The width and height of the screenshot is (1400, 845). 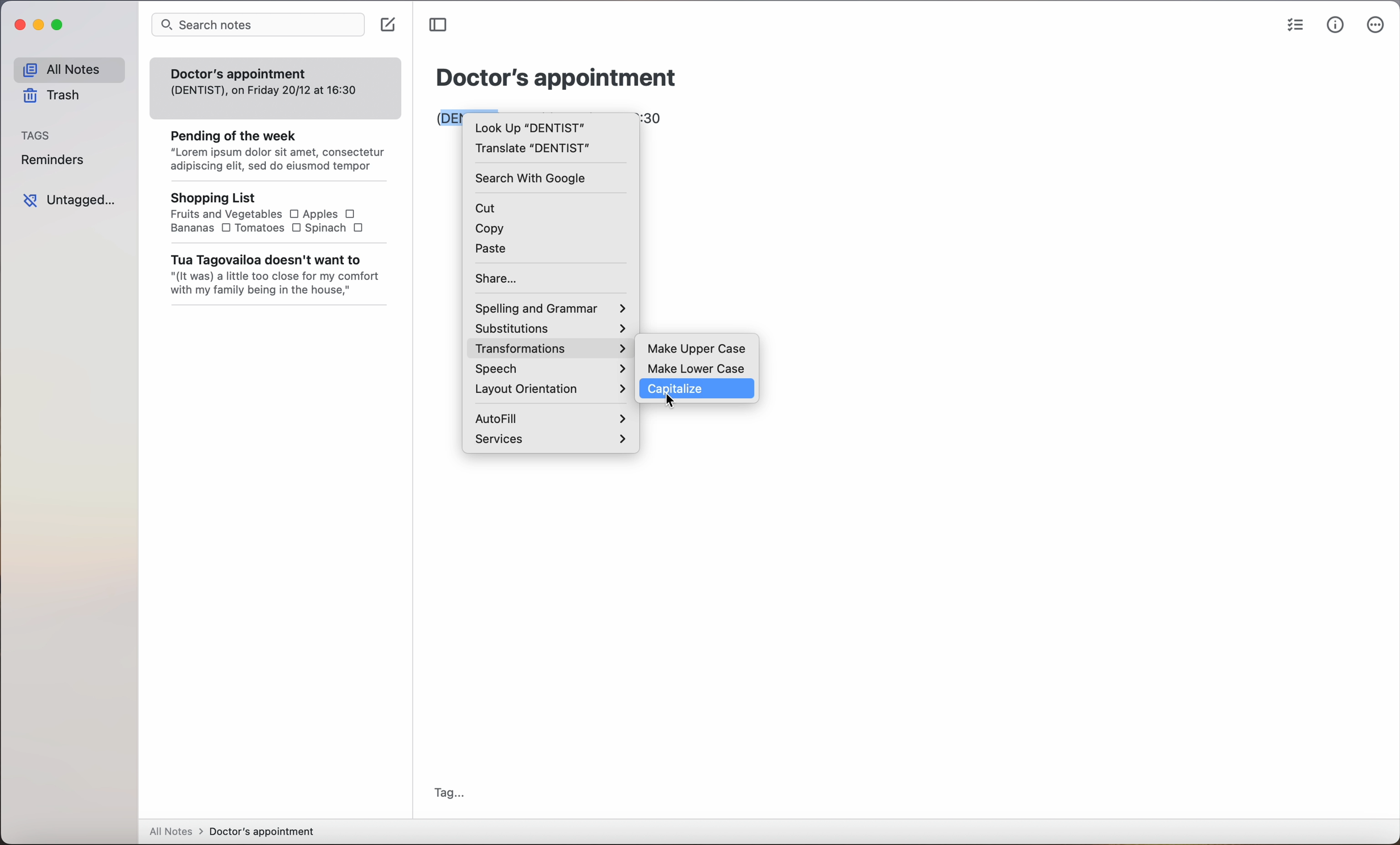 I want to click on tag, so click(x=449, y=791).